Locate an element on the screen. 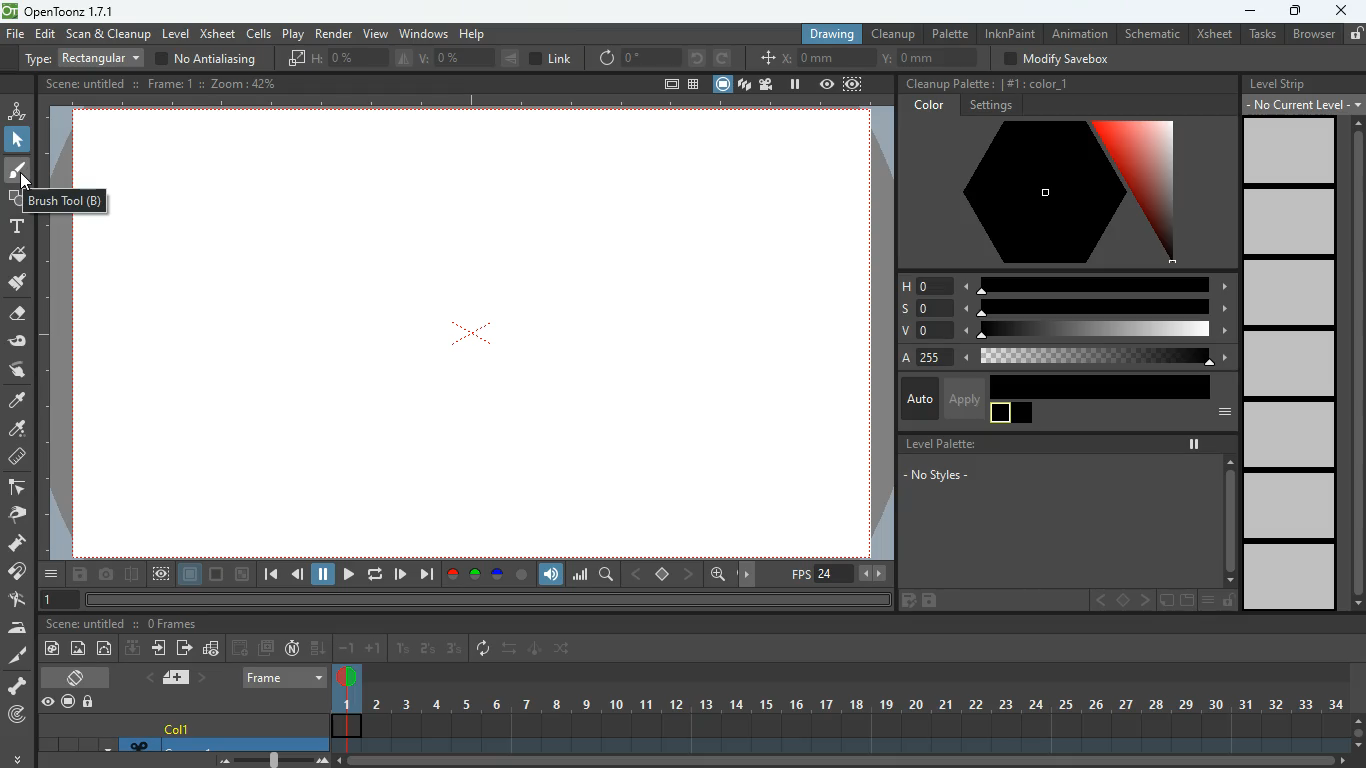 The width and height of the screenshot is (1366, 768). edit is located at coordinates (906, 602).